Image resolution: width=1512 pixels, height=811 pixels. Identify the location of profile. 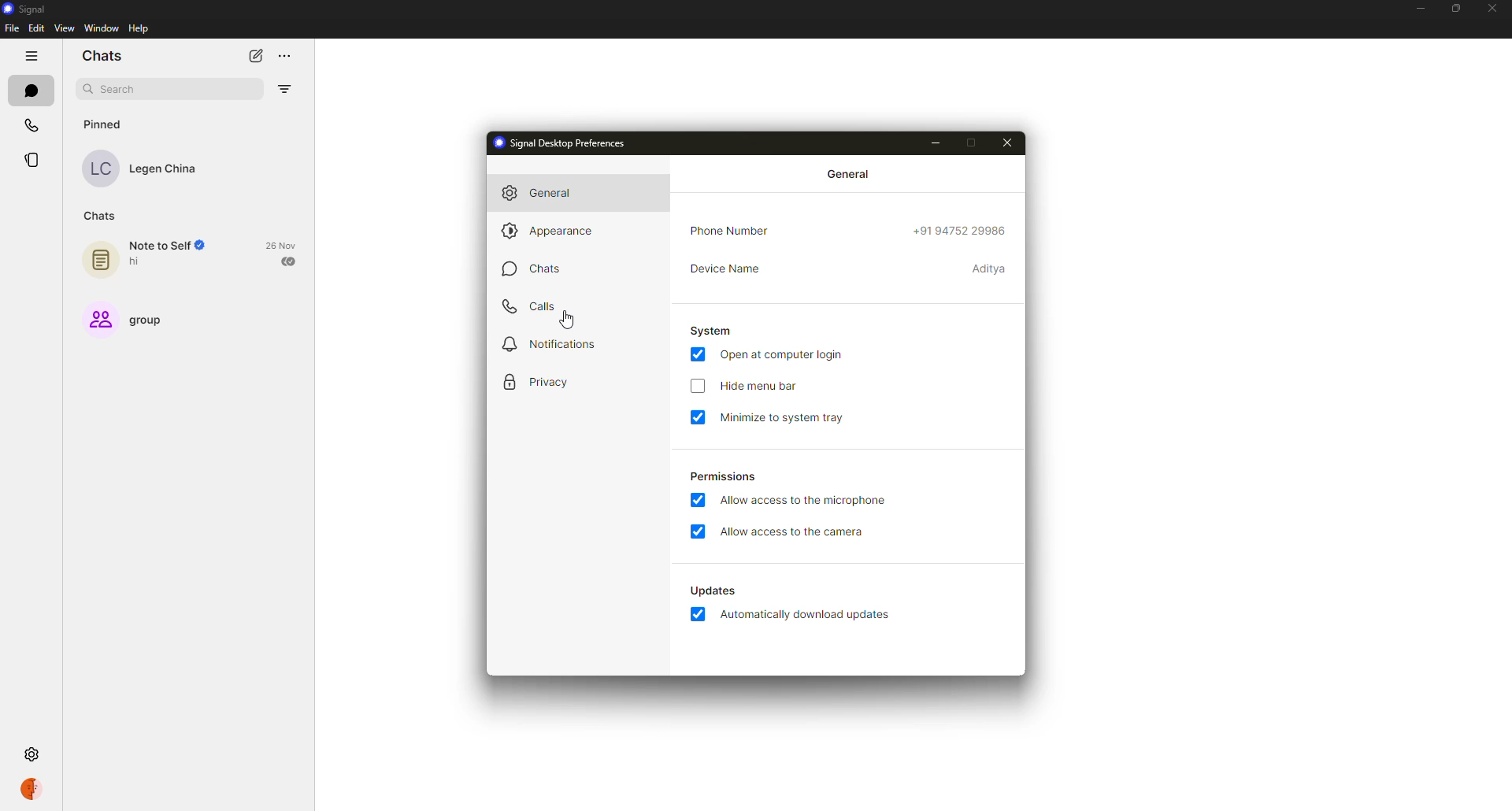
(36, 788).